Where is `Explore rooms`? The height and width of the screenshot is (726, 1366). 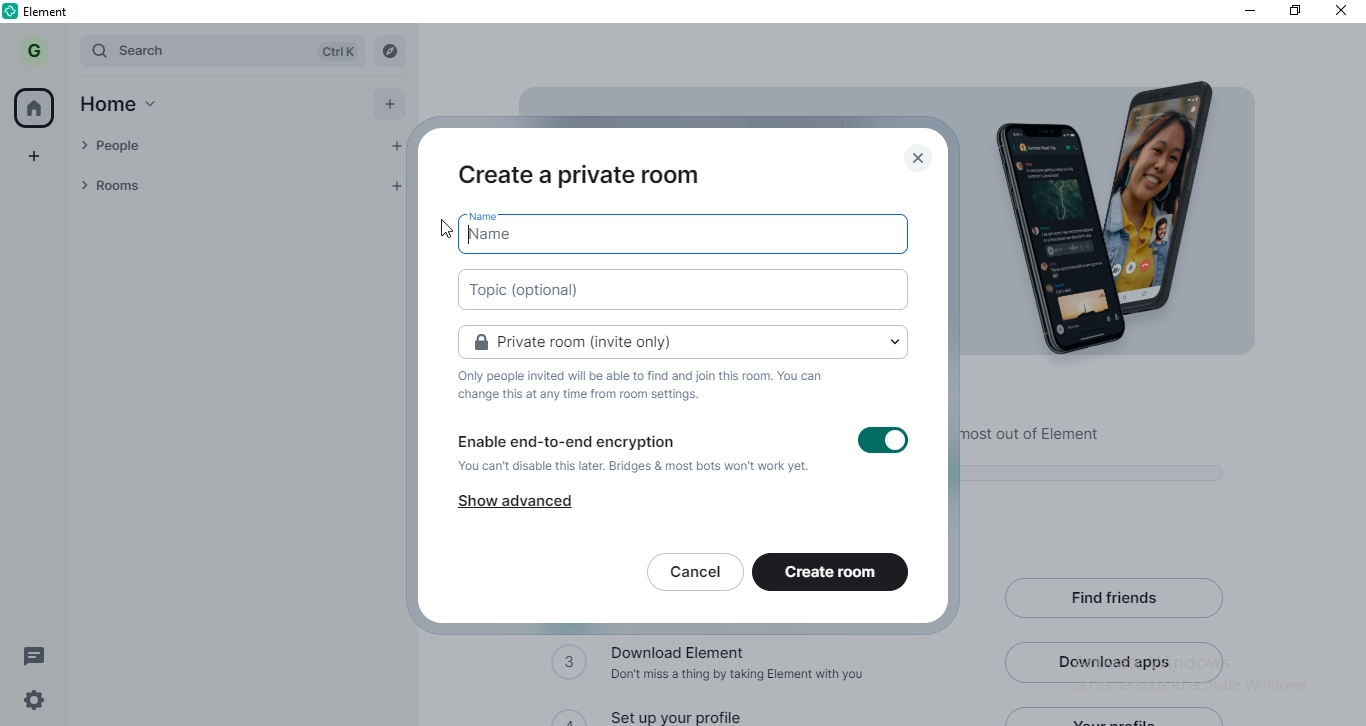
Explore rooms is located at coordinates (391, 49).